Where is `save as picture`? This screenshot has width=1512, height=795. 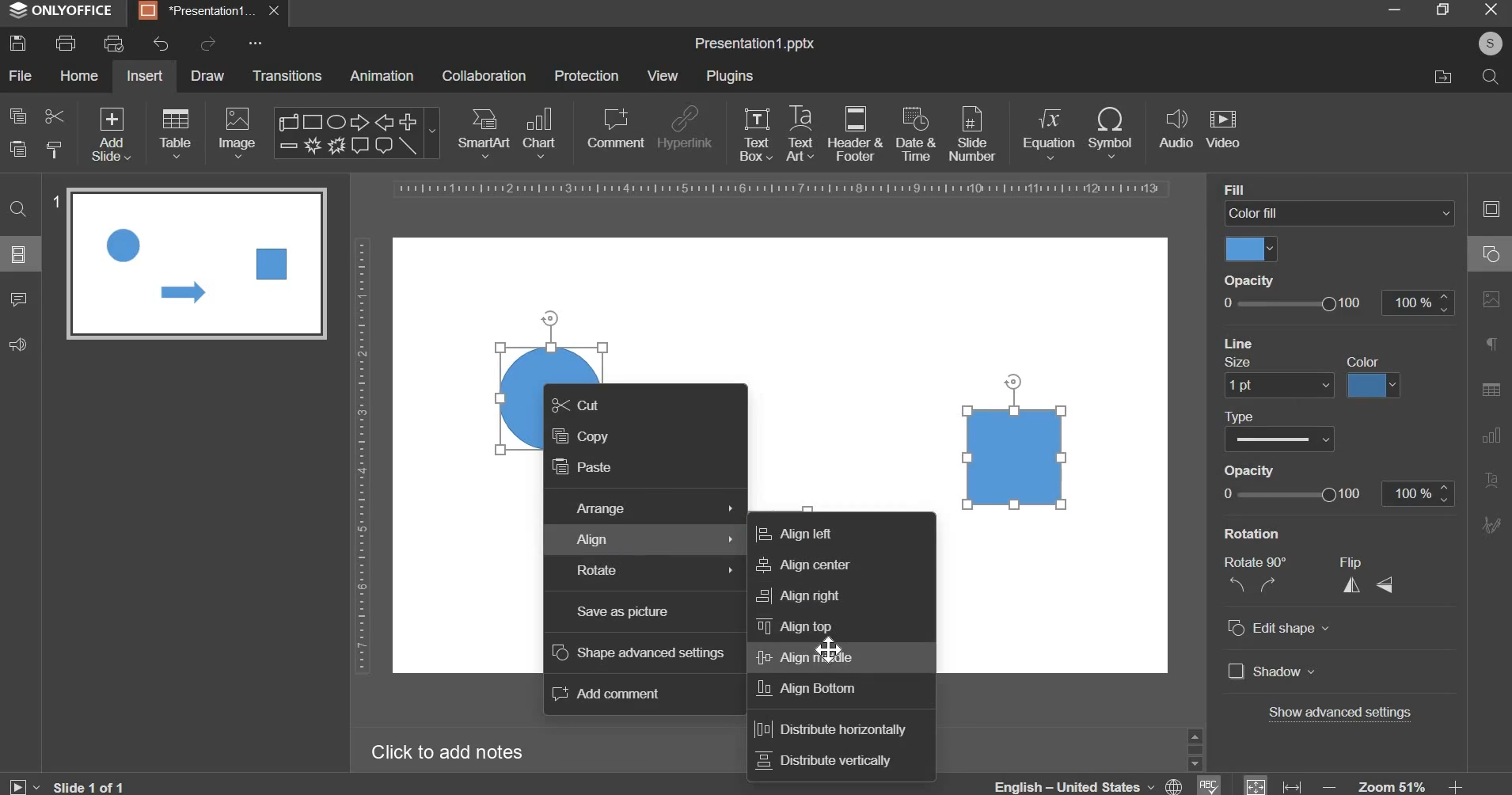 save as picture is located at coordinates (623, 612).